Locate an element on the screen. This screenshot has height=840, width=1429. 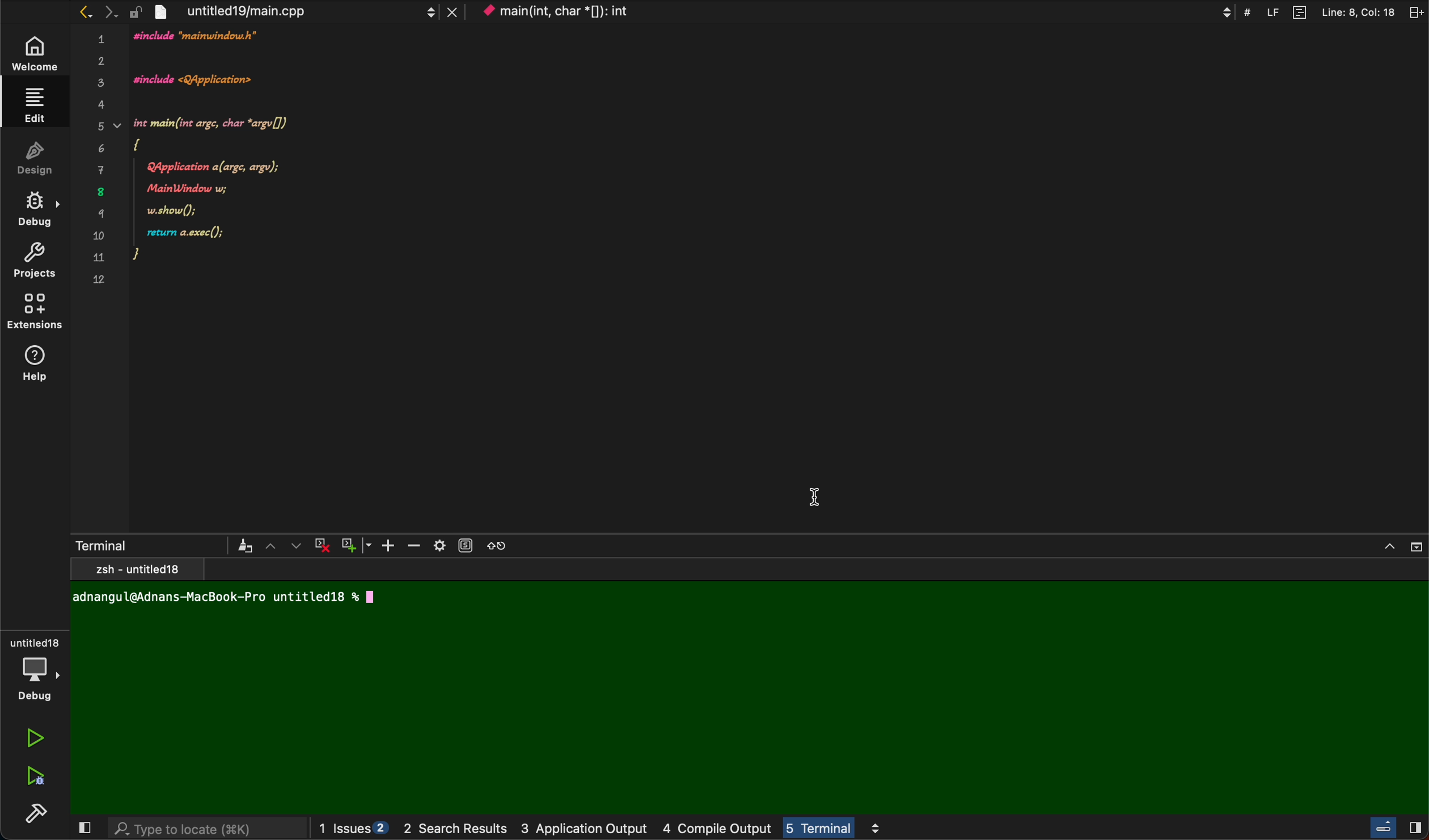
terminal is located at coordinates (161, 545).